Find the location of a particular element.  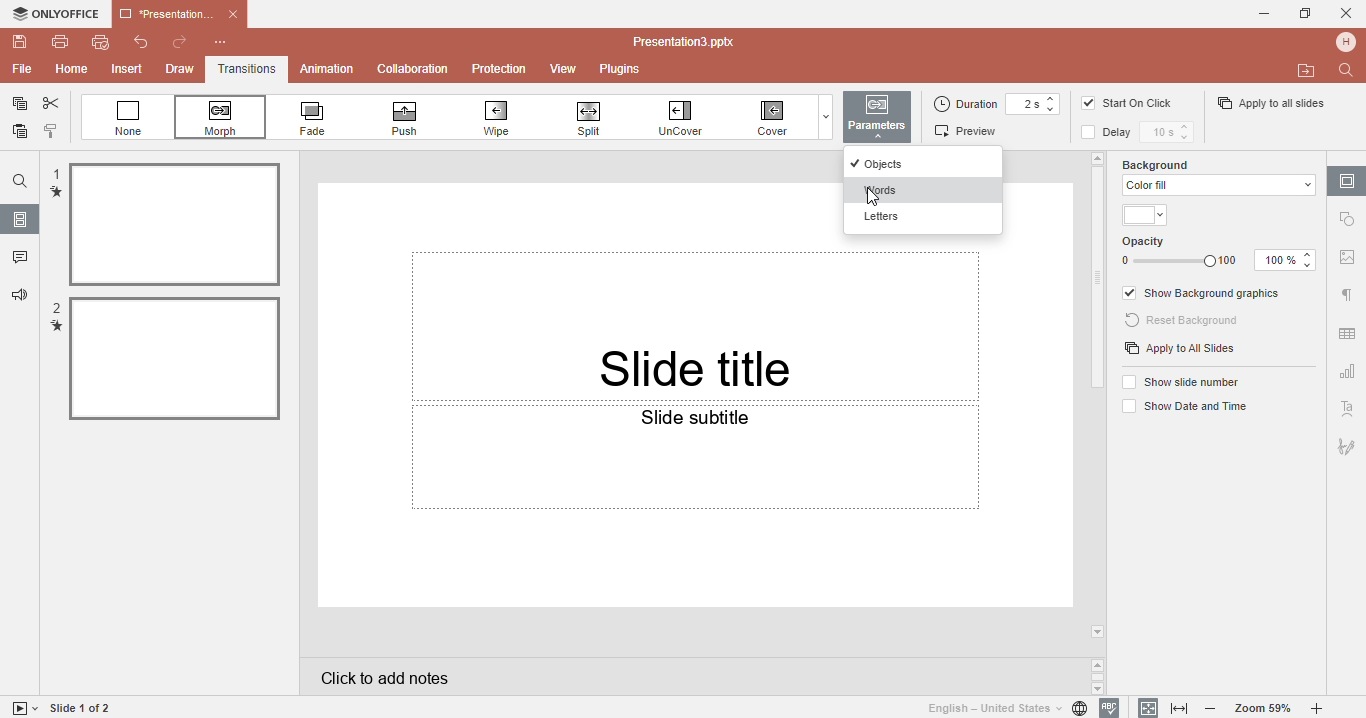

Document name is located at coordinates (178, 12).